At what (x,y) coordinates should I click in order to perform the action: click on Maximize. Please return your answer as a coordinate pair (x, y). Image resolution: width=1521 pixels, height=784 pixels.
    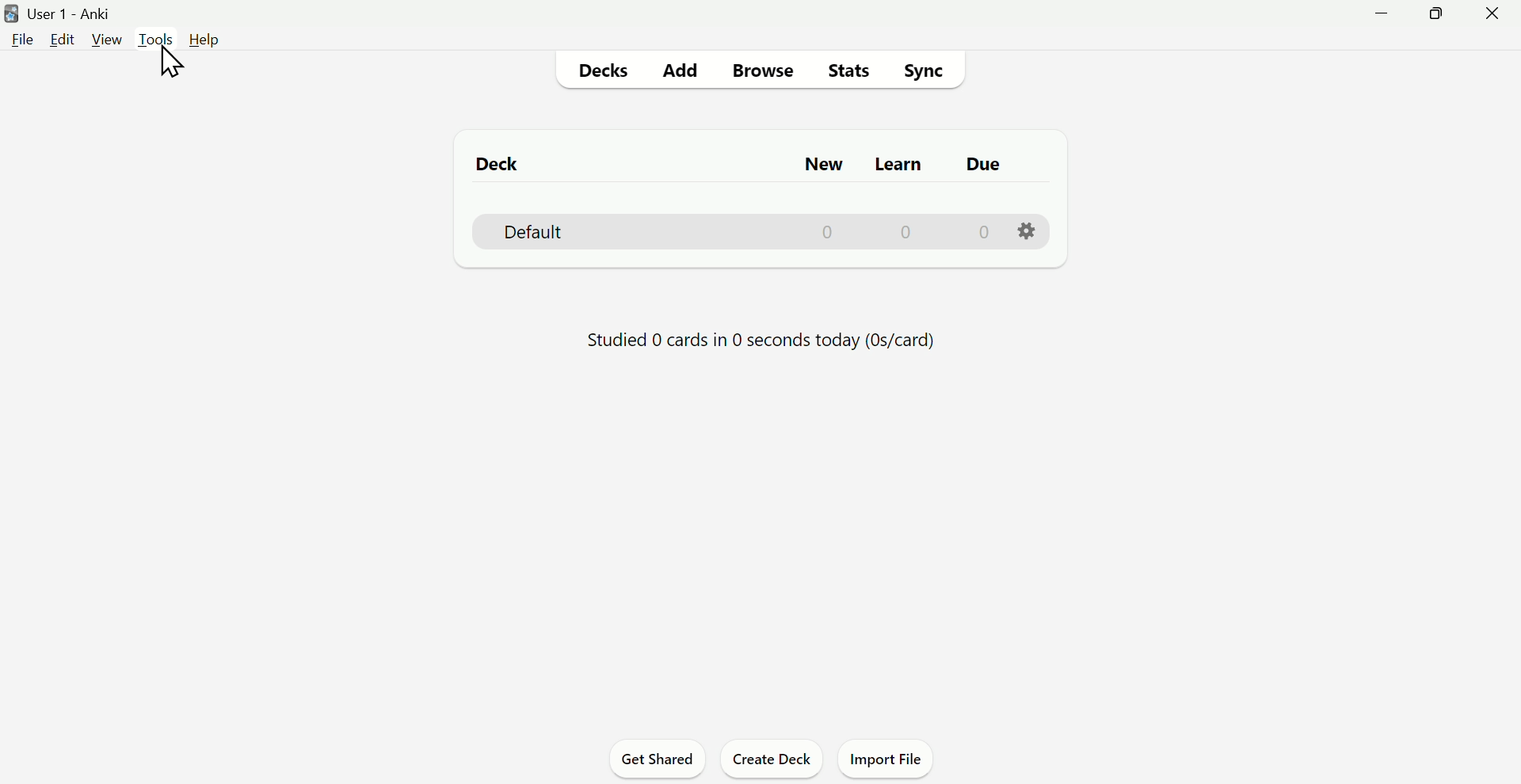
    Looking at the image, I should click on (1439, 17).